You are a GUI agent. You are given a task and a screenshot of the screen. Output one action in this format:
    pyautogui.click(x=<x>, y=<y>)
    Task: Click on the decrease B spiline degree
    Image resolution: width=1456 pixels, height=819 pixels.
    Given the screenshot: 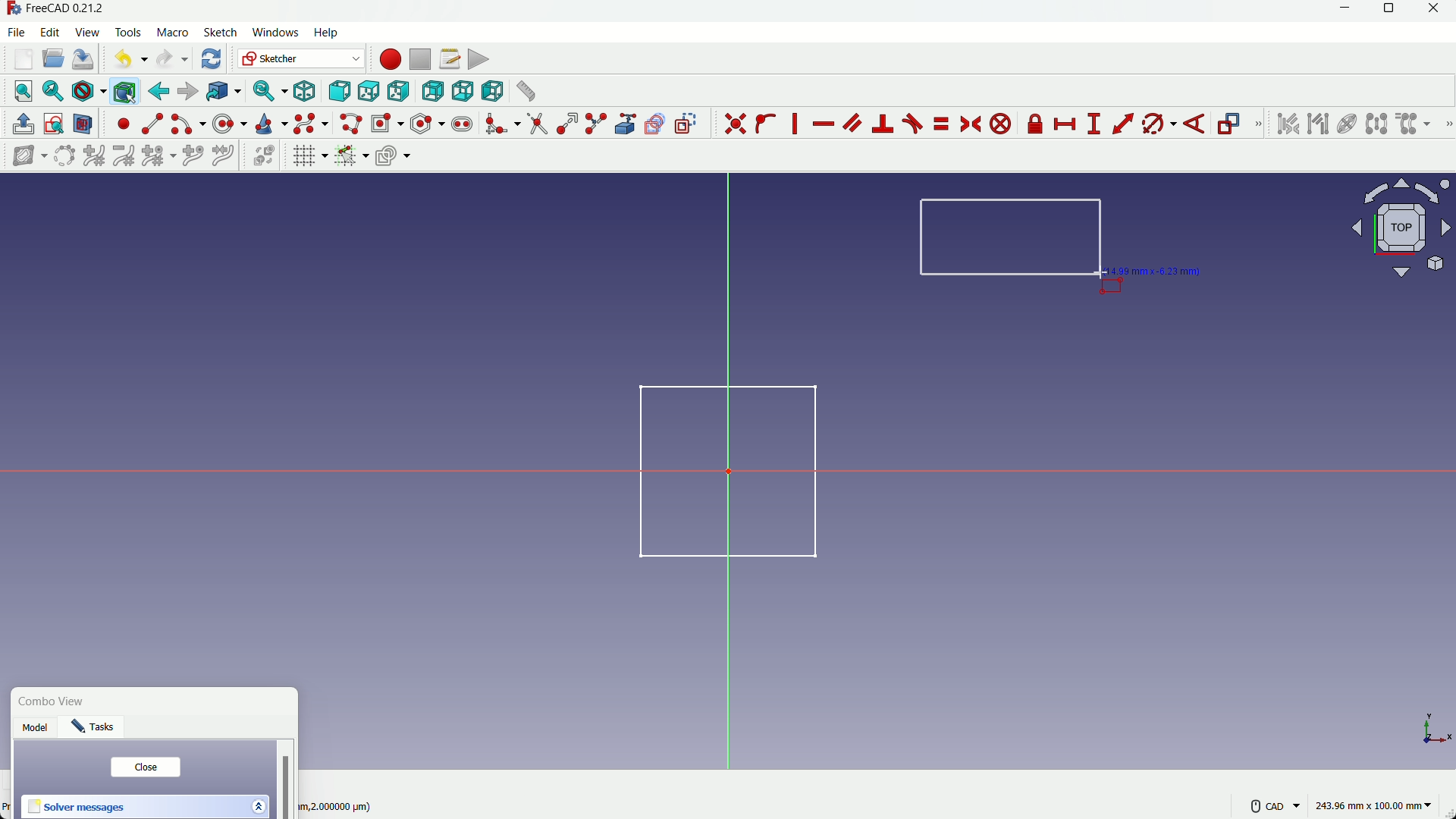 What is the action you would take?
    pyautogui.click(x=124, y=155)
    